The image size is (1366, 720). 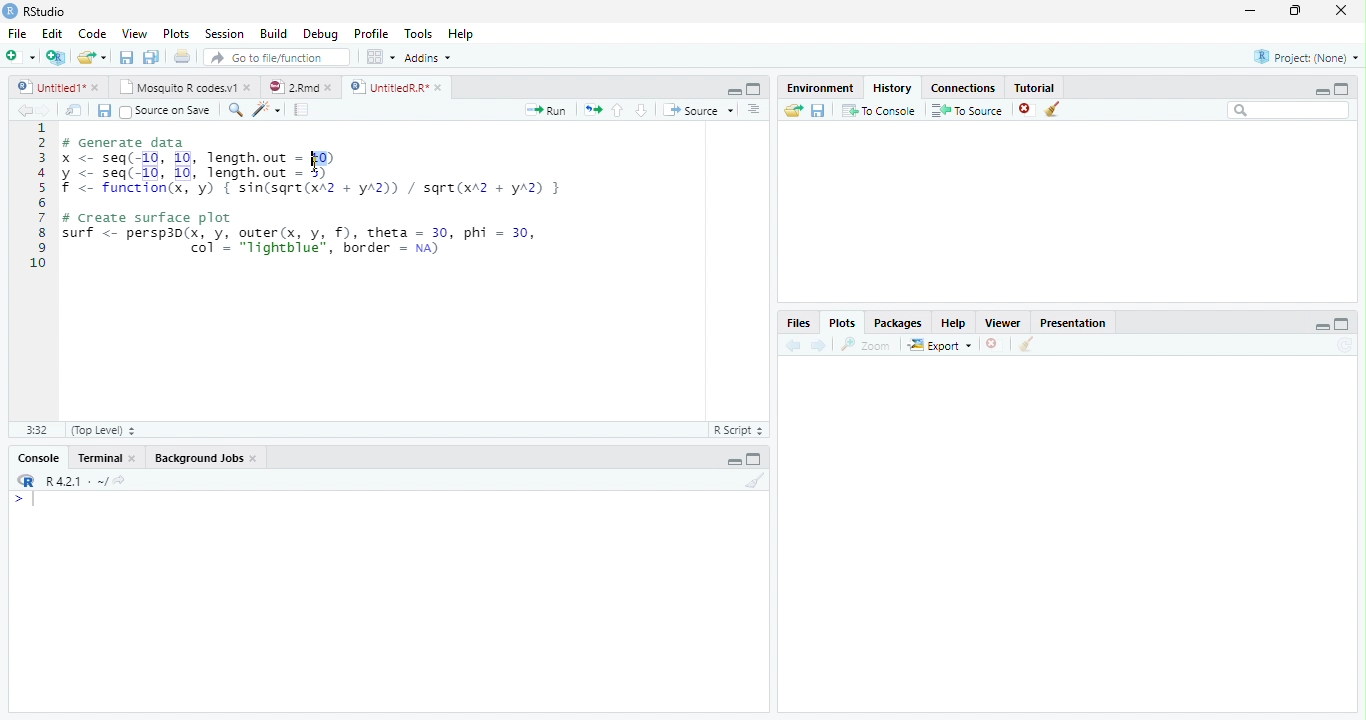 I want to click on Clear console, so click(x=756, y=480).